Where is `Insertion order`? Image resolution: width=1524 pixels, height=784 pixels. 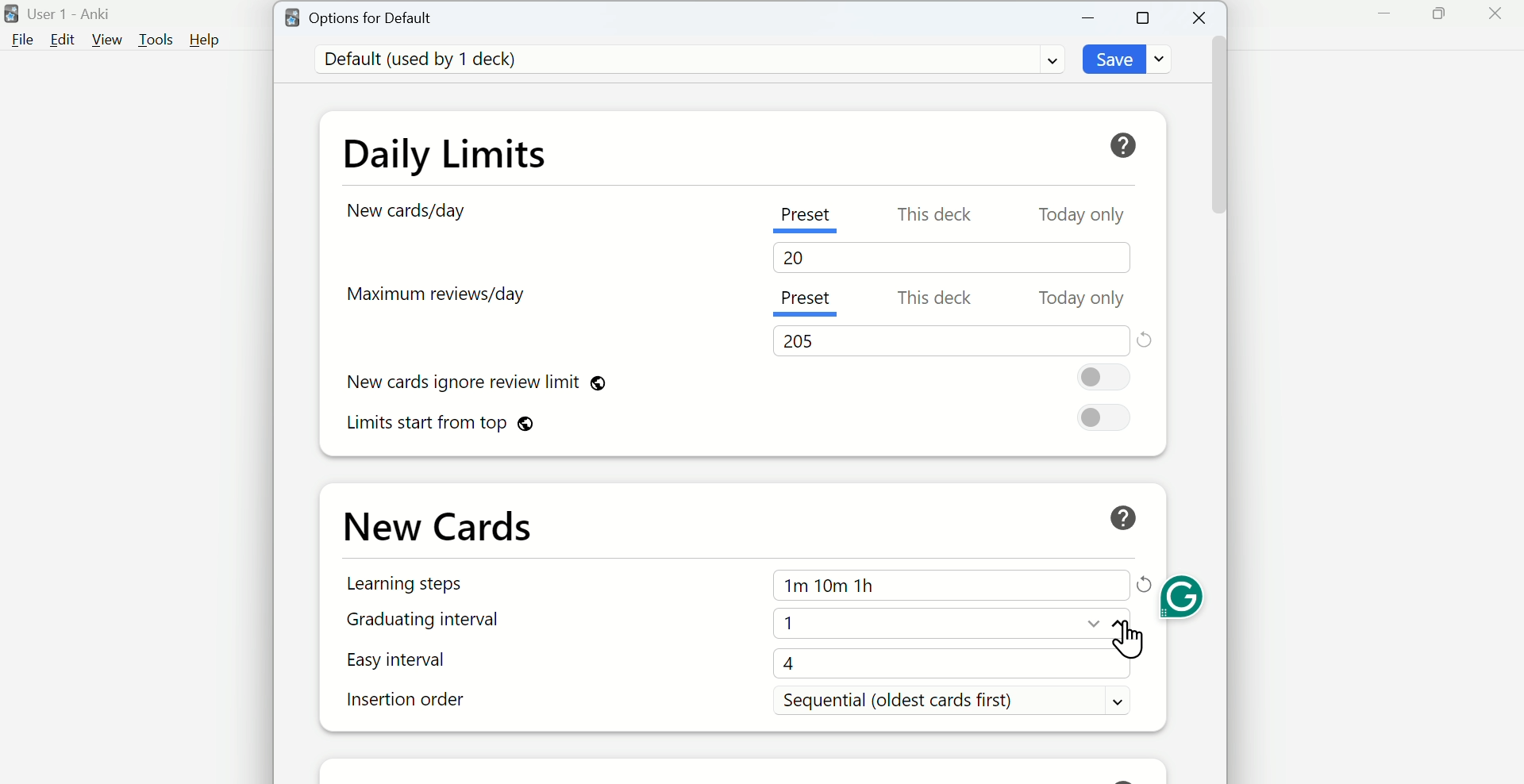
Insertion order is located at coordinates (409, 703).